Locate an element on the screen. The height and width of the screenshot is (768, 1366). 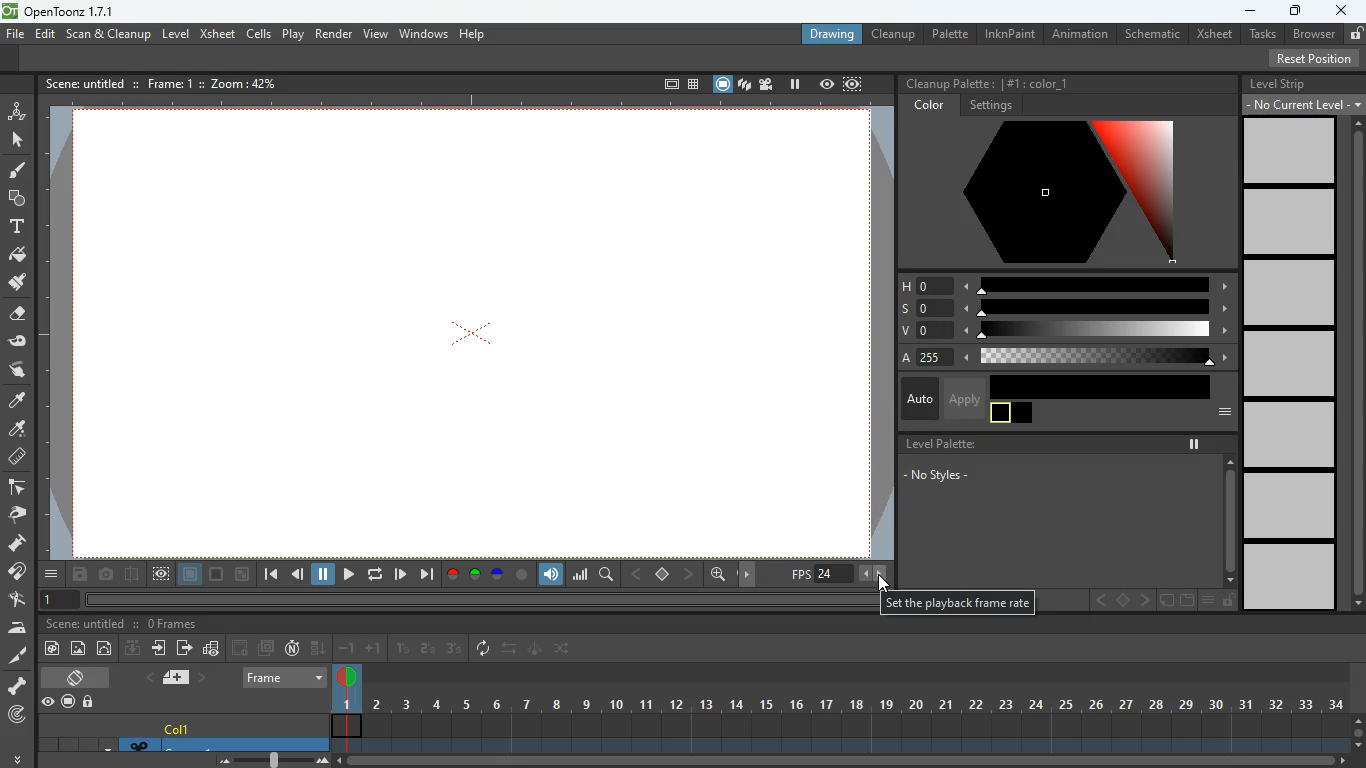
scenes is located at coordinates (744, 84).